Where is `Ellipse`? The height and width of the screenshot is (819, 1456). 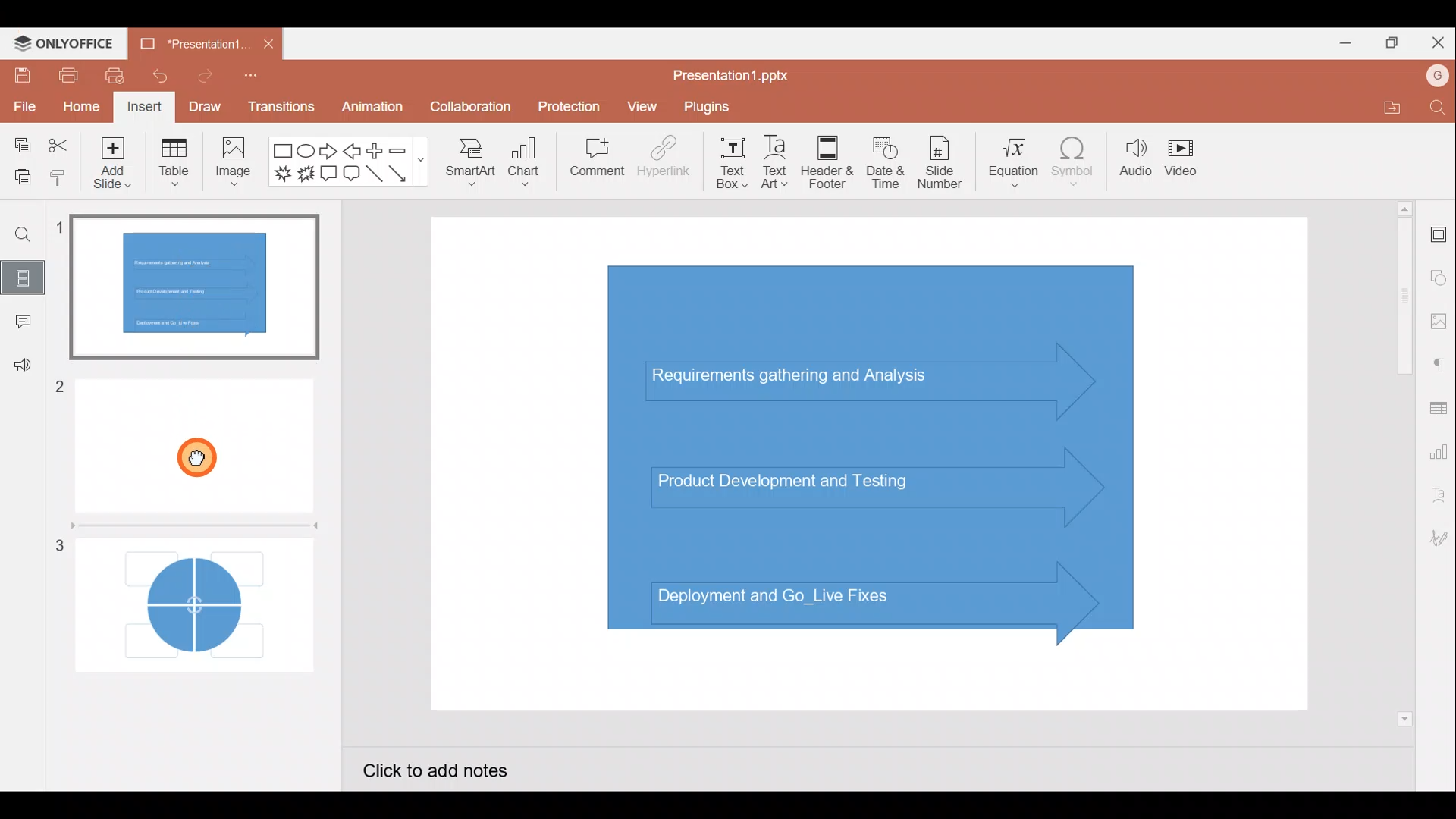
Ellipse is located at coordinates (305, 152).